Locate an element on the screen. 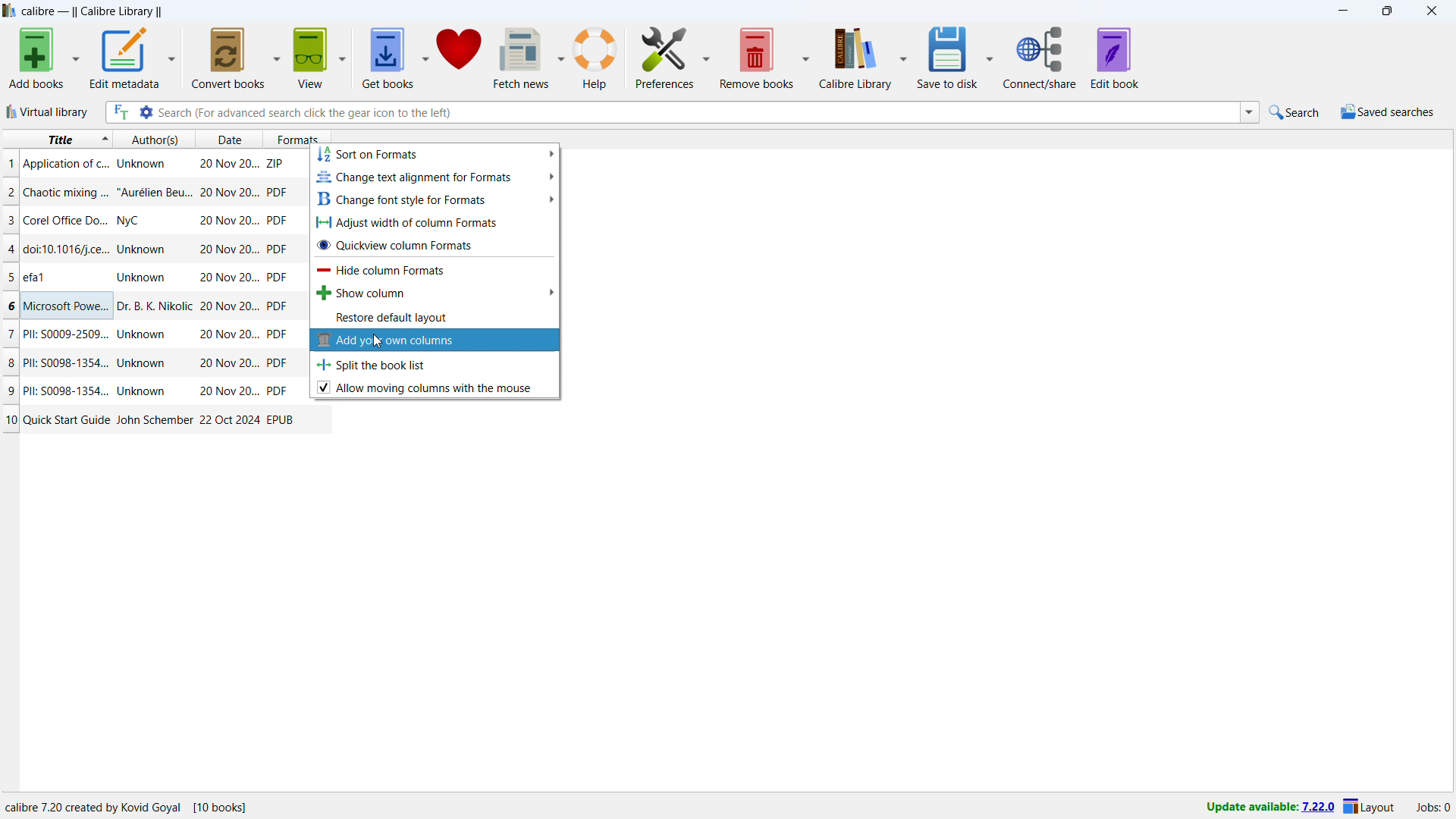  cursor is located at coordinates (313, 150).